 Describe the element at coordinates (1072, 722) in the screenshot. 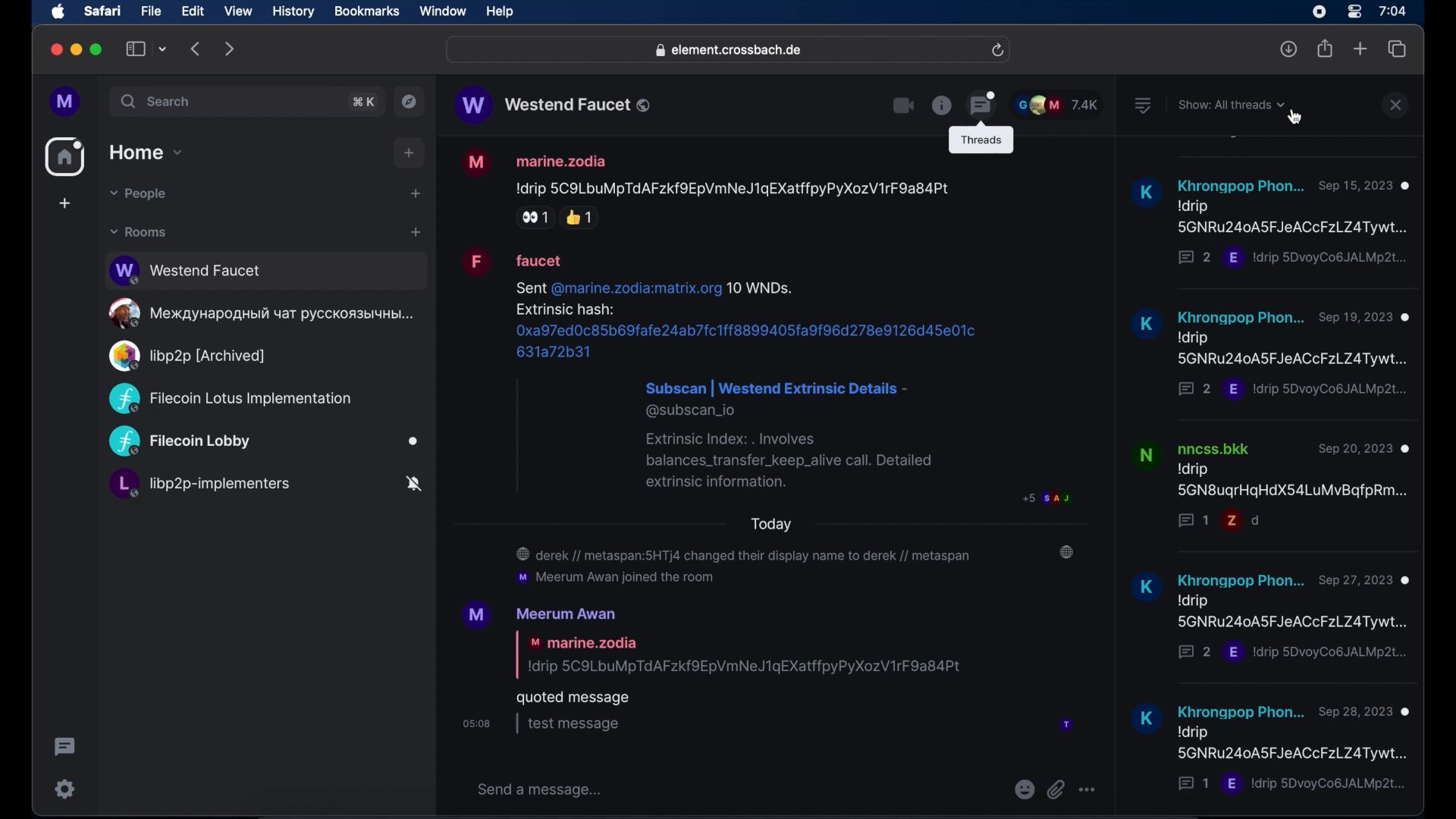

I see `participant` at that location.